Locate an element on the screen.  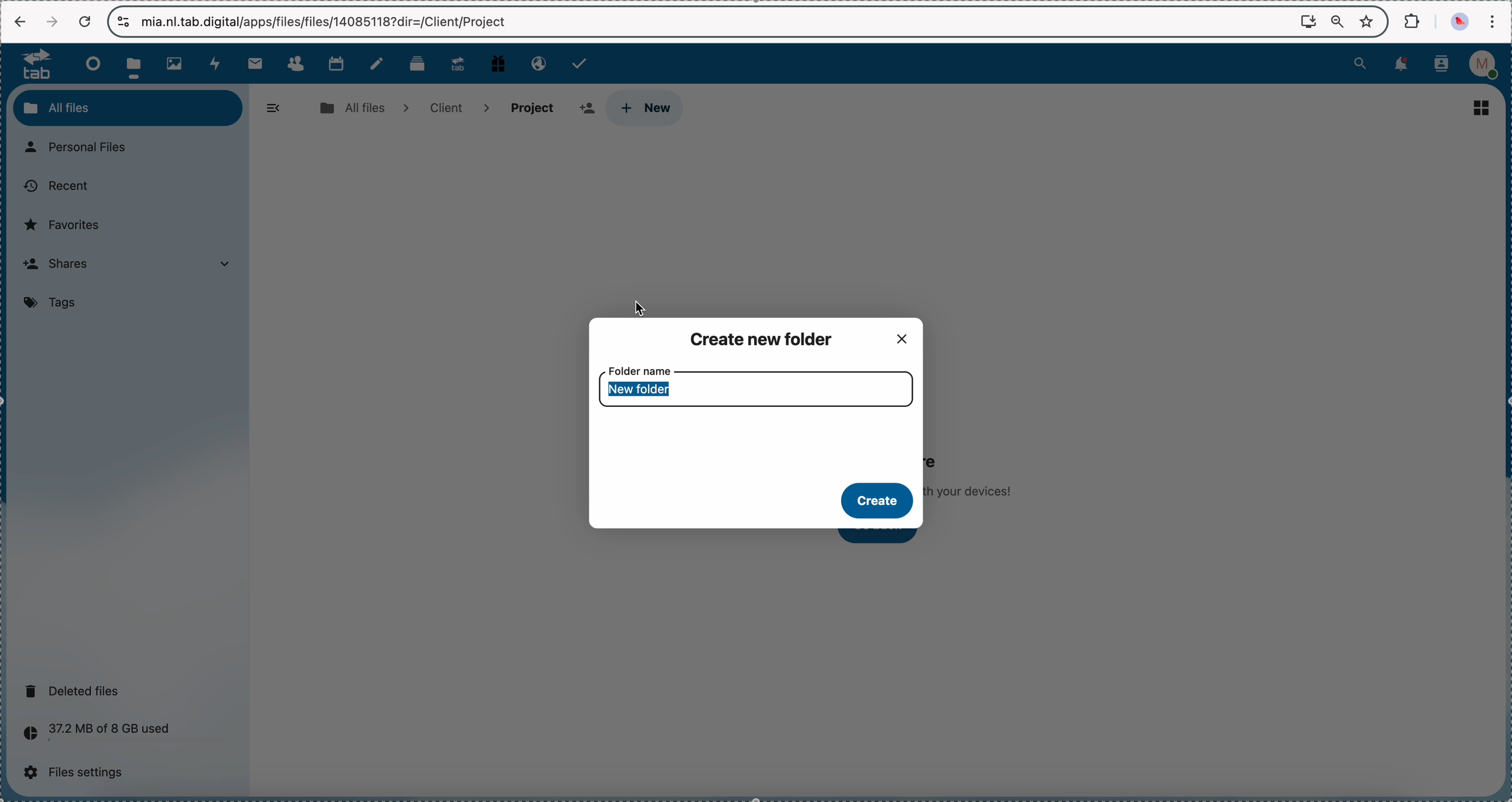
project is located at coordinates (533, 107).